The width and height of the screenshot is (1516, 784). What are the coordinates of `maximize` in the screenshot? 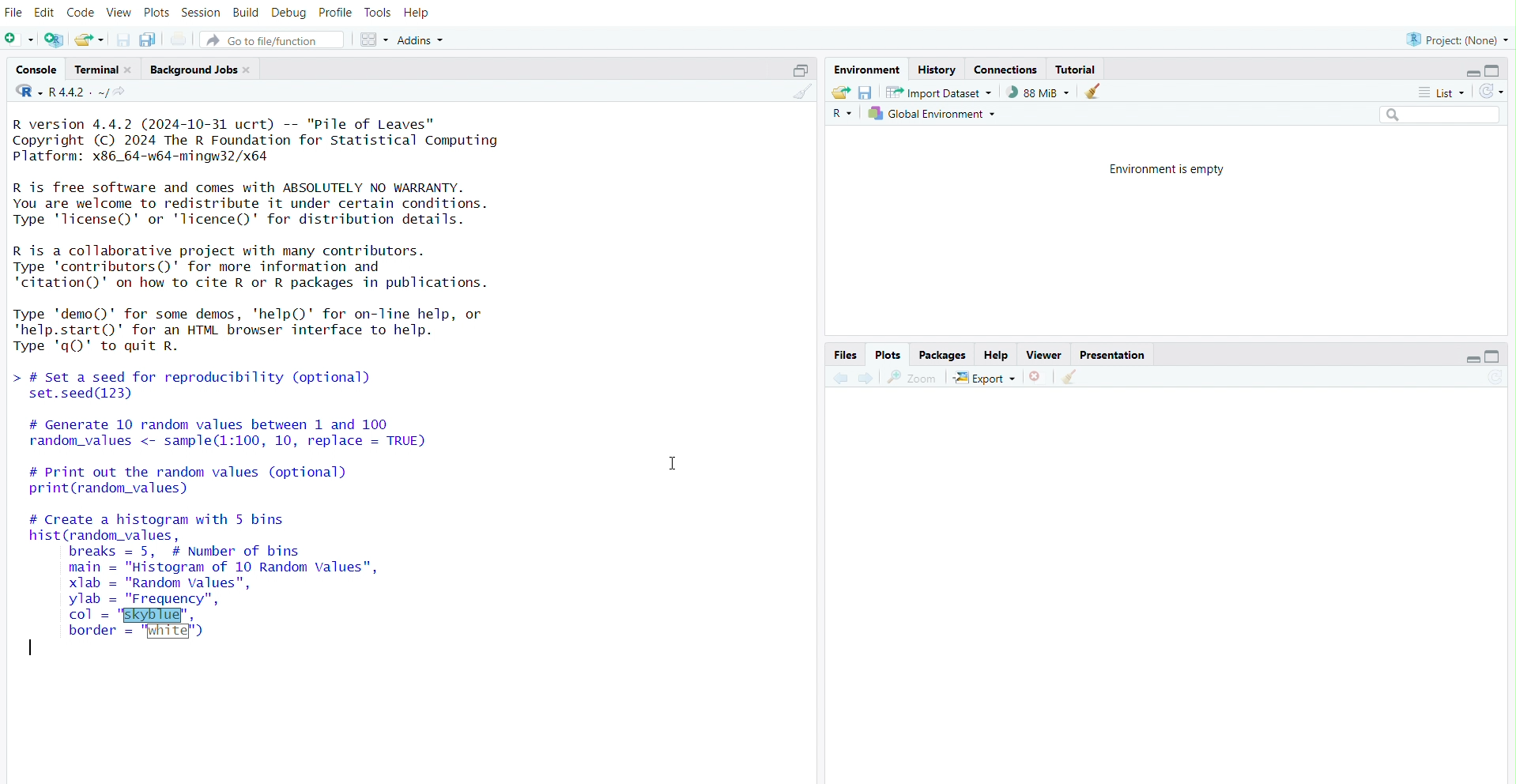 It's located at (799, 67).